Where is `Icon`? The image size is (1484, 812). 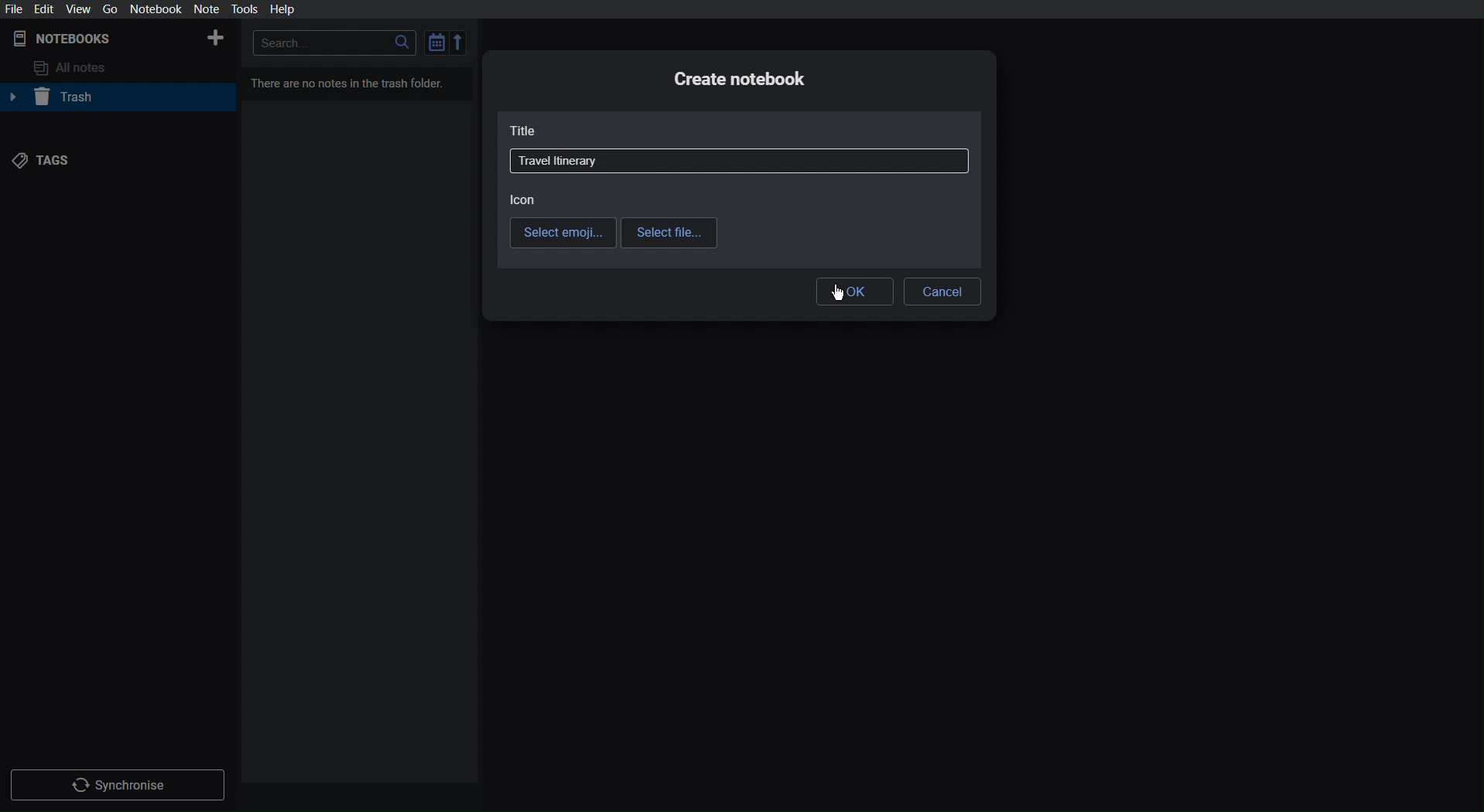 Icon is located at coordinates (524, 200).